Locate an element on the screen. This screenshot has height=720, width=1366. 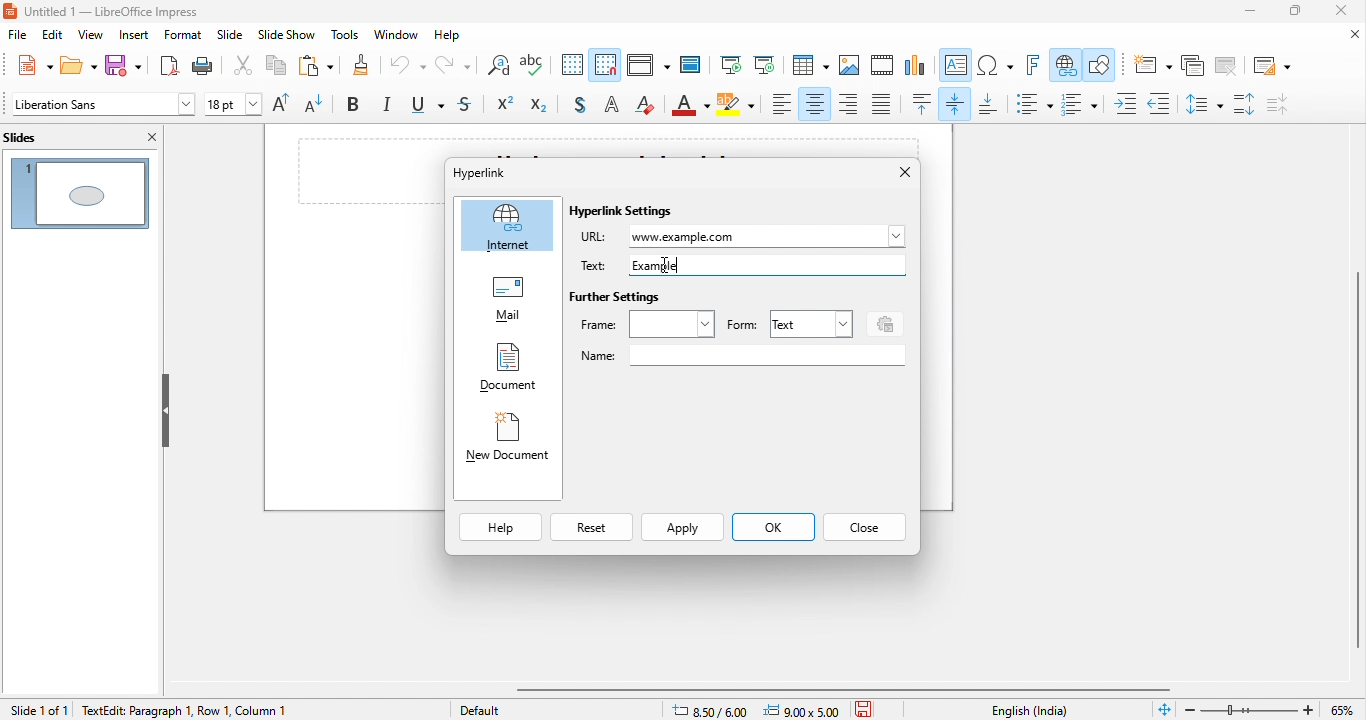
font size is located at coordinates (234, 106).